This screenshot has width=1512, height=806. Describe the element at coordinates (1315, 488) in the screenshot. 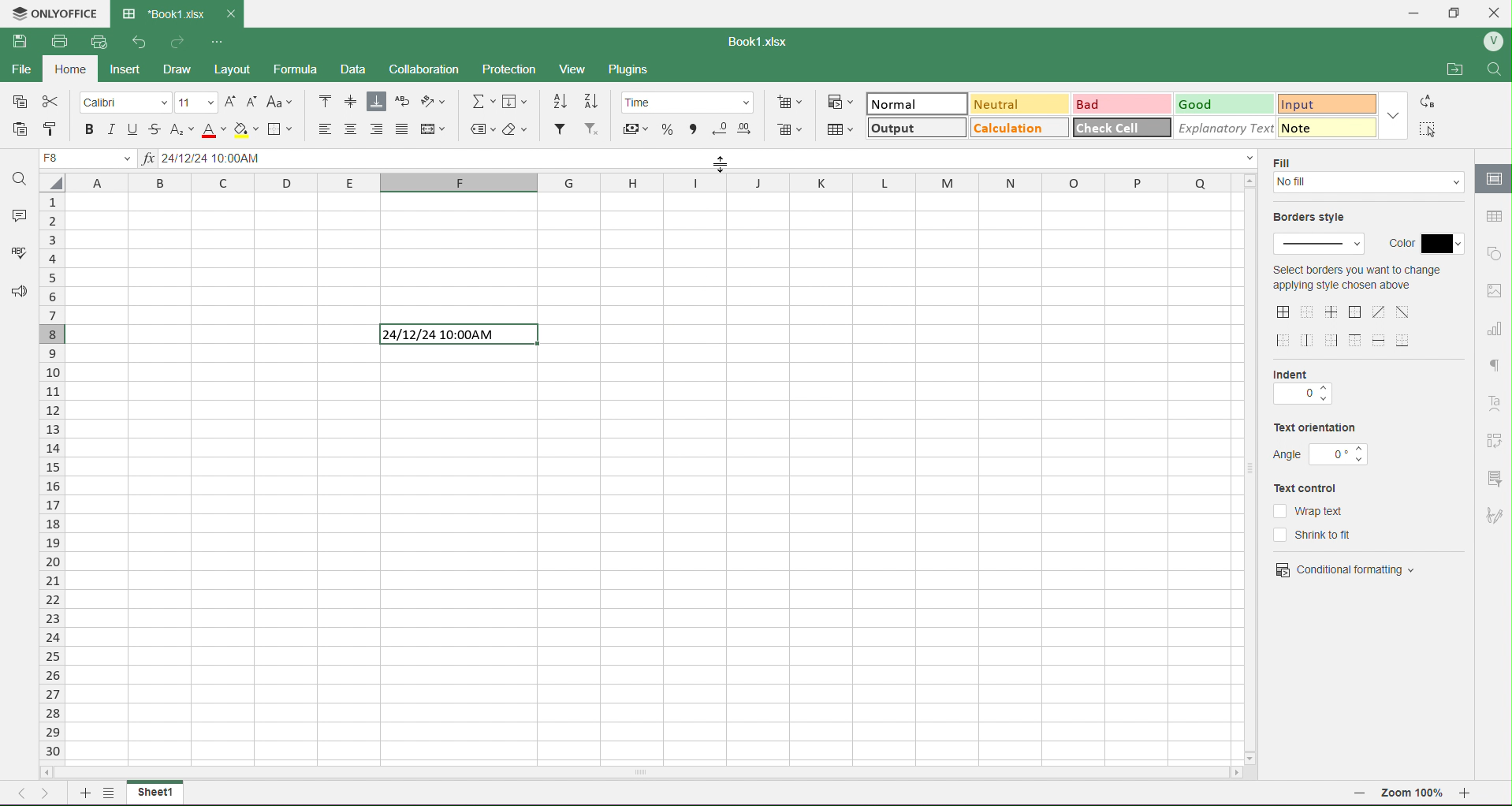

I see `text control` at that location.